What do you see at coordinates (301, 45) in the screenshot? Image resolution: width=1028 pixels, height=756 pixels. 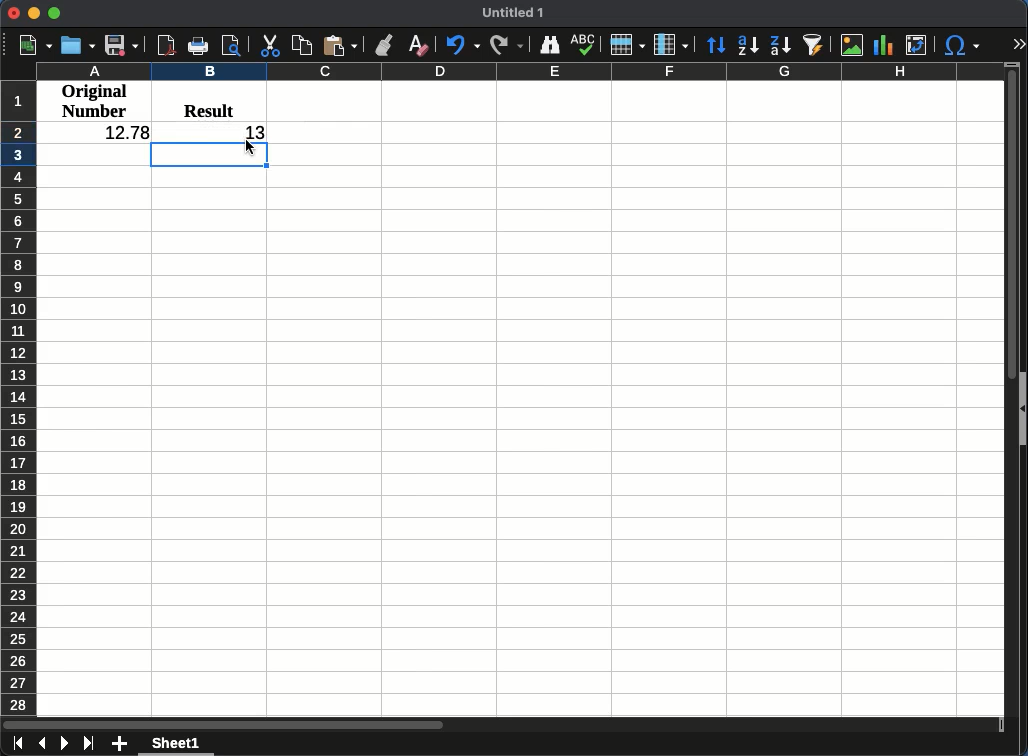 I see `copy` at bounding box center [301, 45].